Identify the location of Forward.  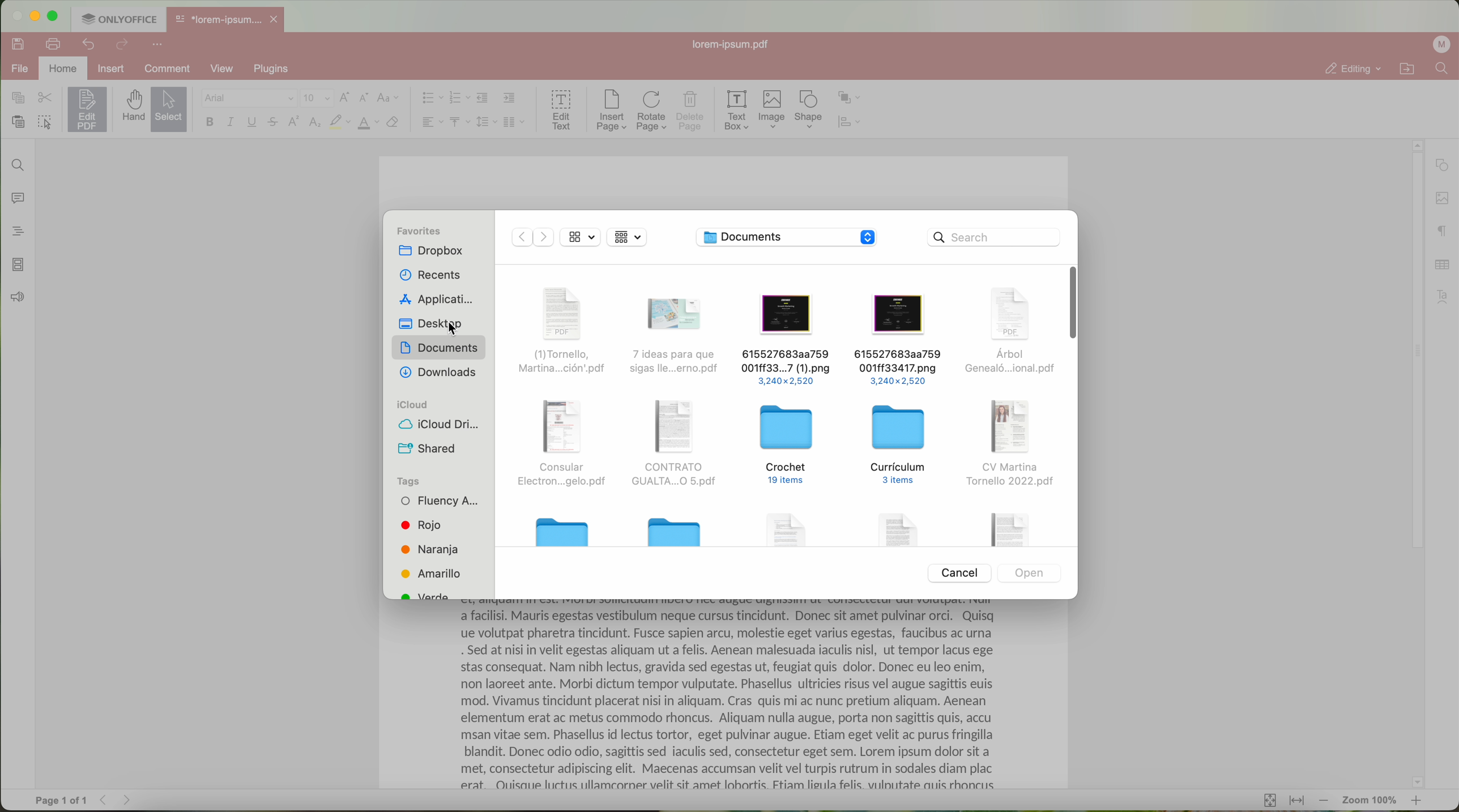
(545, 237).